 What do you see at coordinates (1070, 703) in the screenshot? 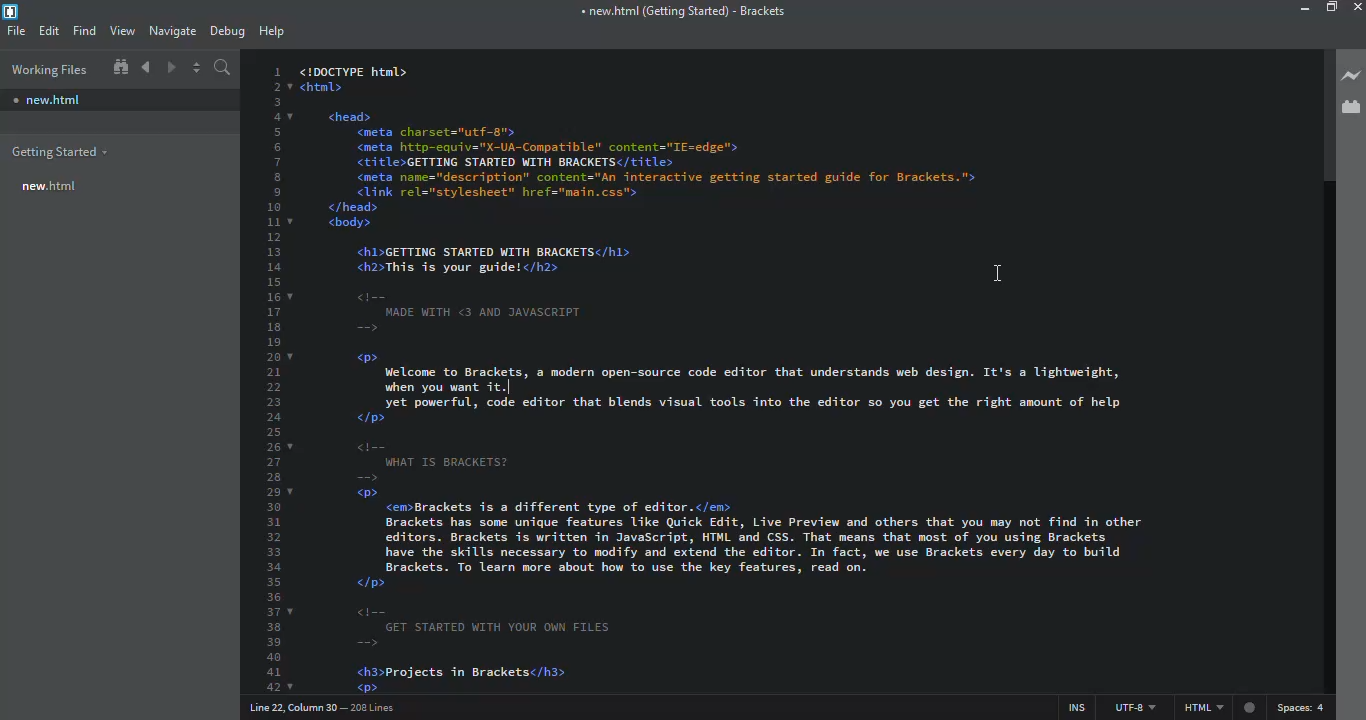
I see `ins` at bounding box center [1070, 703].